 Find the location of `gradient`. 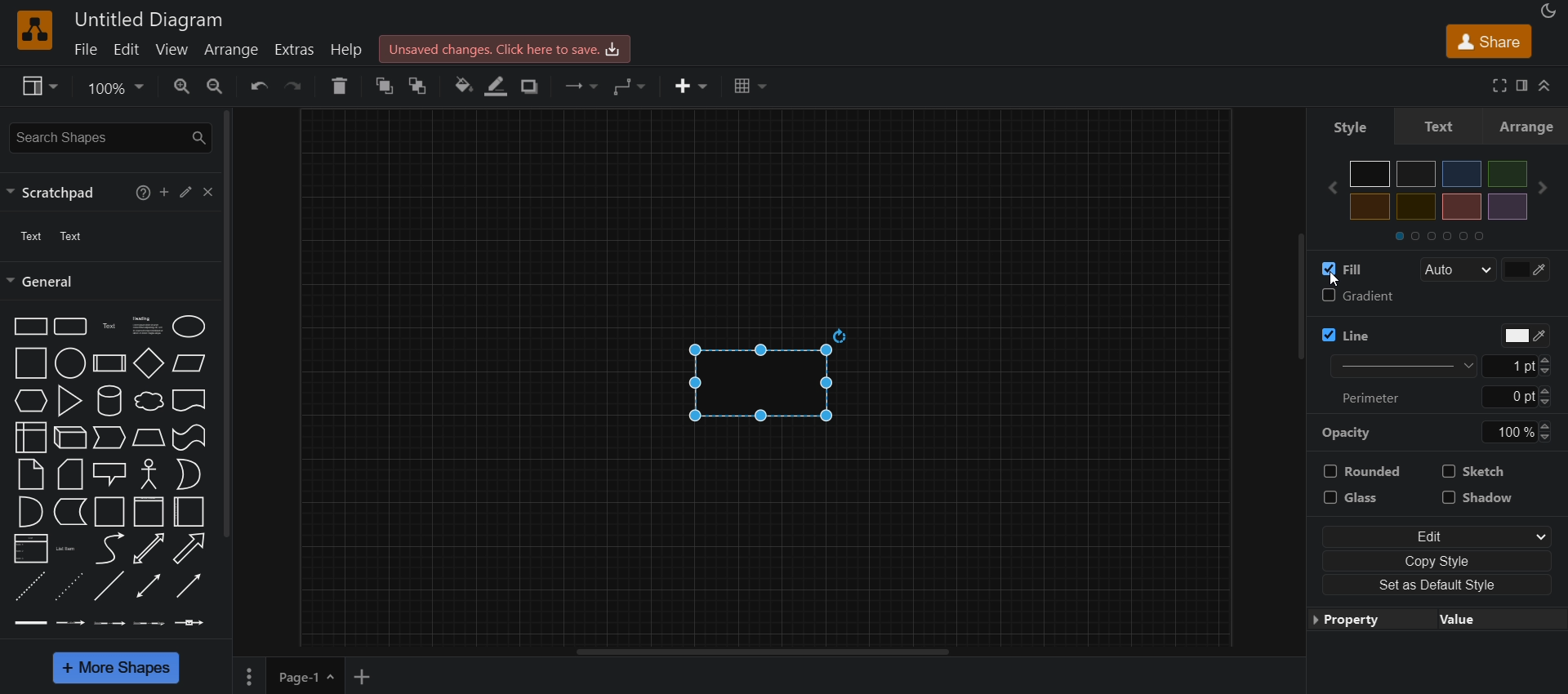

gradient is located at coordinates (1363, 296).